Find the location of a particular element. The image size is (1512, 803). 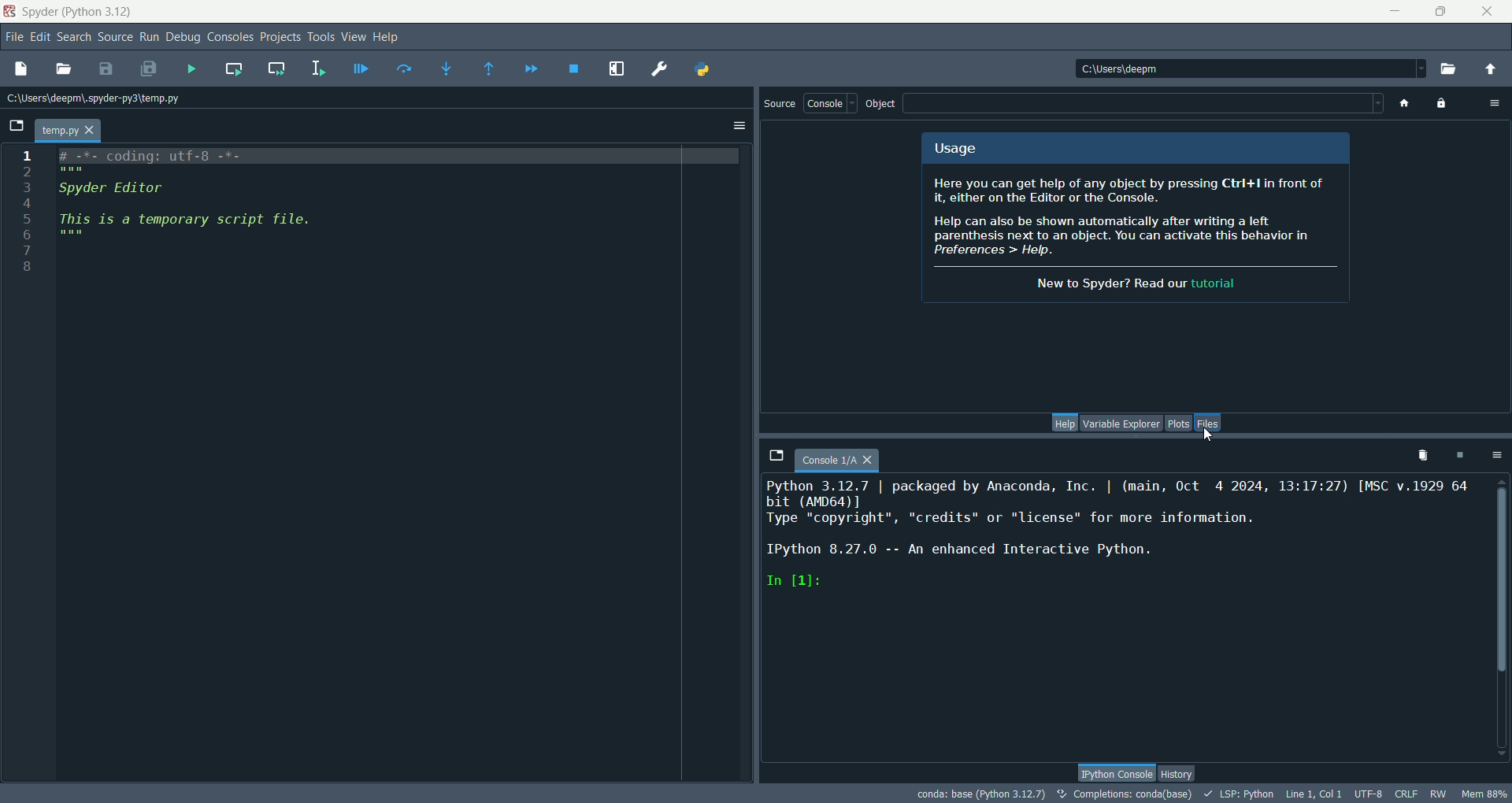

run until current function returns is located at coordinates (487, 68).